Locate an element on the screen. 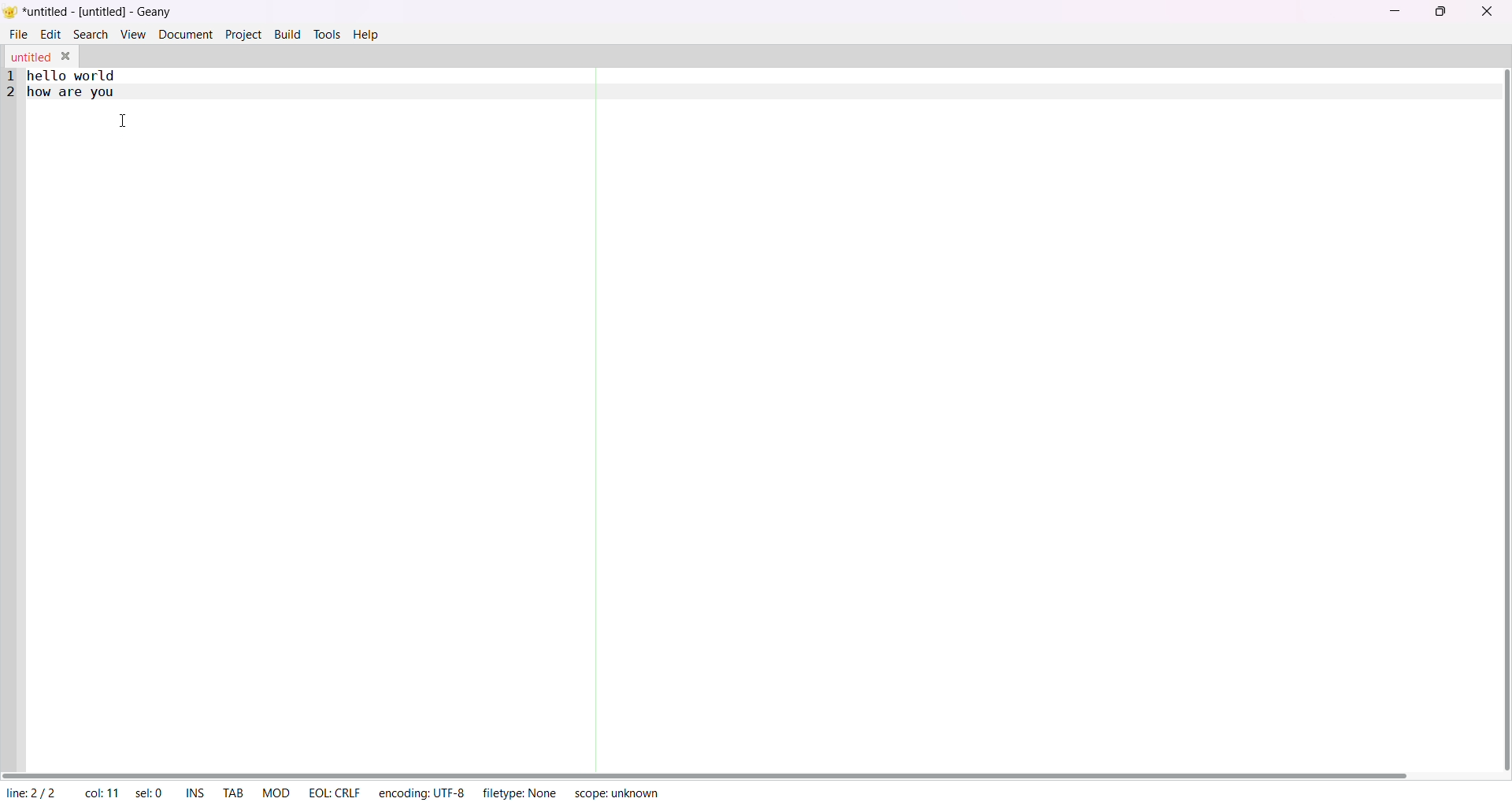 Image resolution: width=1512 pixels, height=802 pixels. tolls is located at coordinates (327, 34).